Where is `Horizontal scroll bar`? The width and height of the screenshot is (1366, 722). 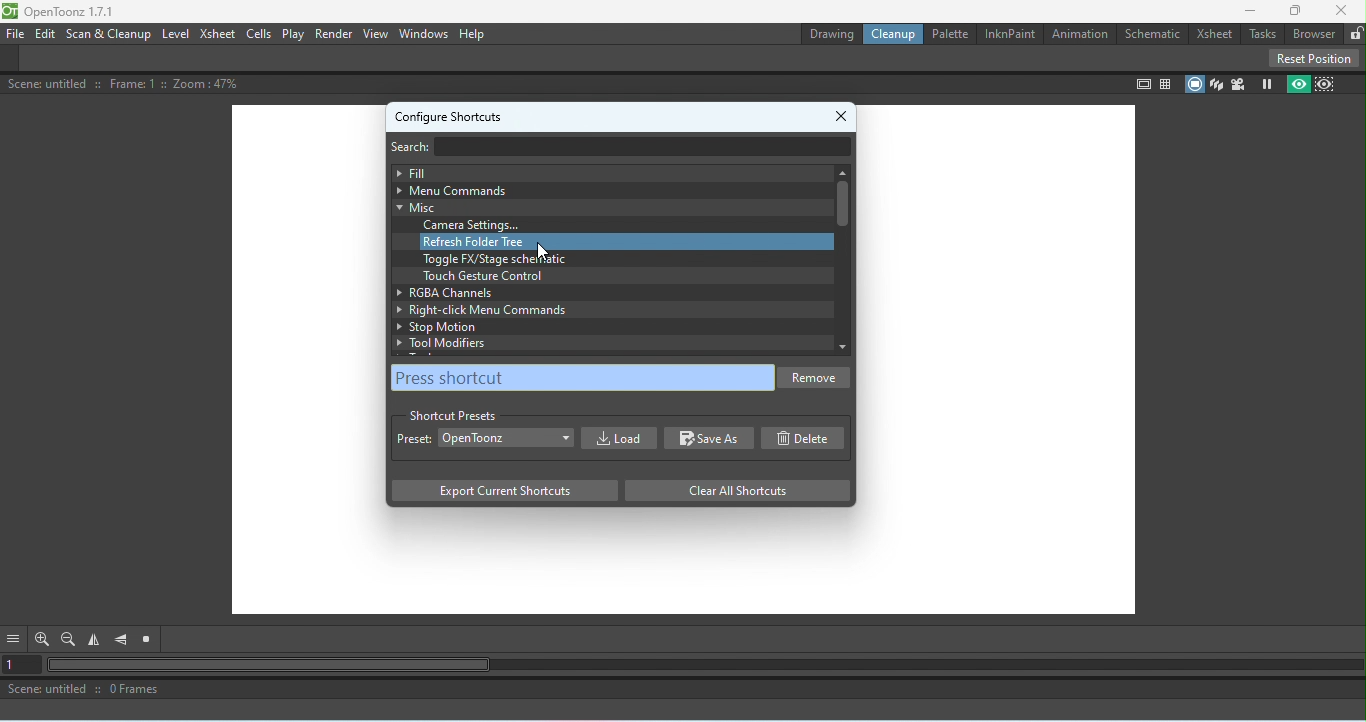 Horizontal scroll bar is located at coordinates (705, 666).